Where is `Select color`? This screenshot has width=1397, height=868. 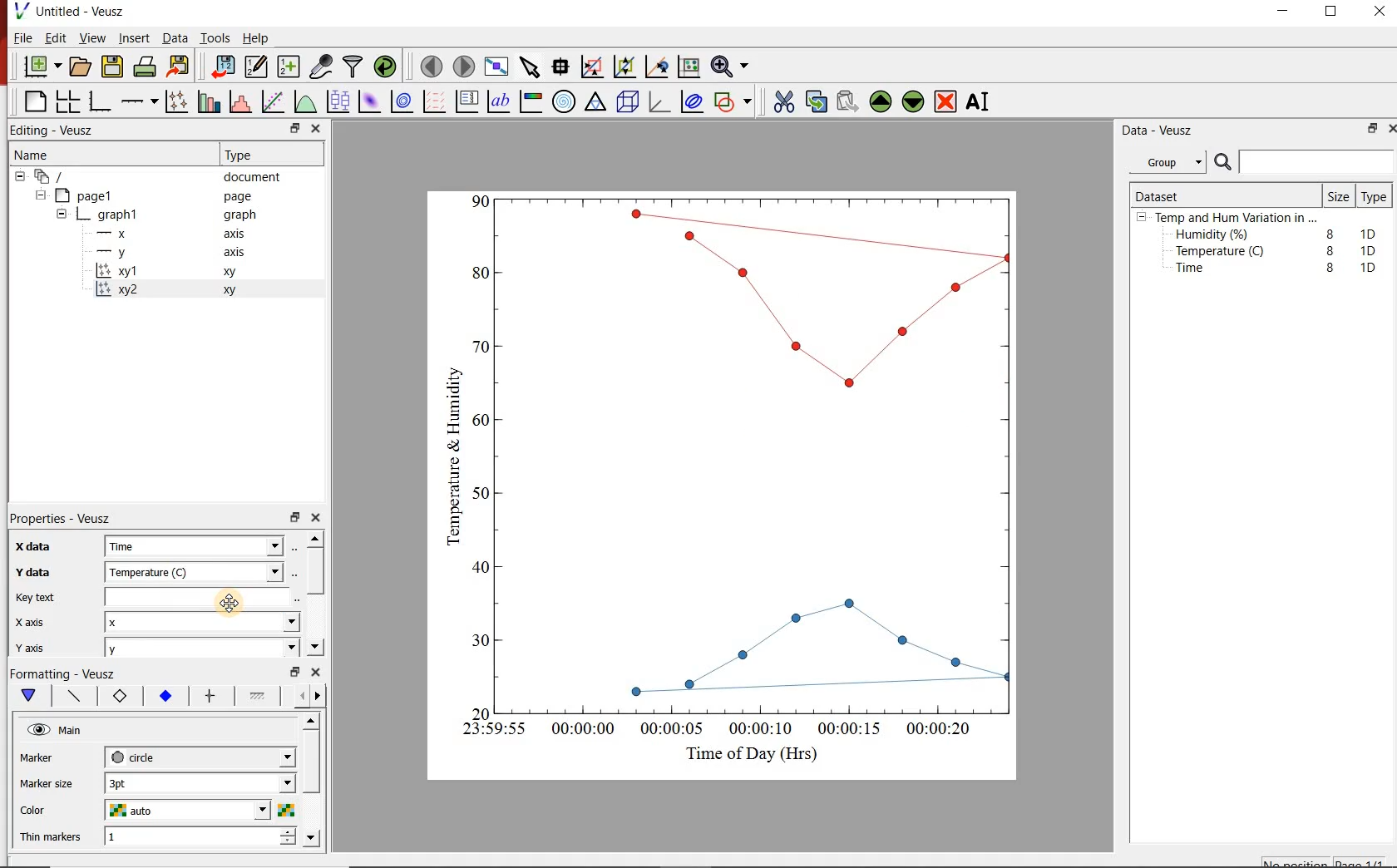 Select color is located at coordinates (287, 811).